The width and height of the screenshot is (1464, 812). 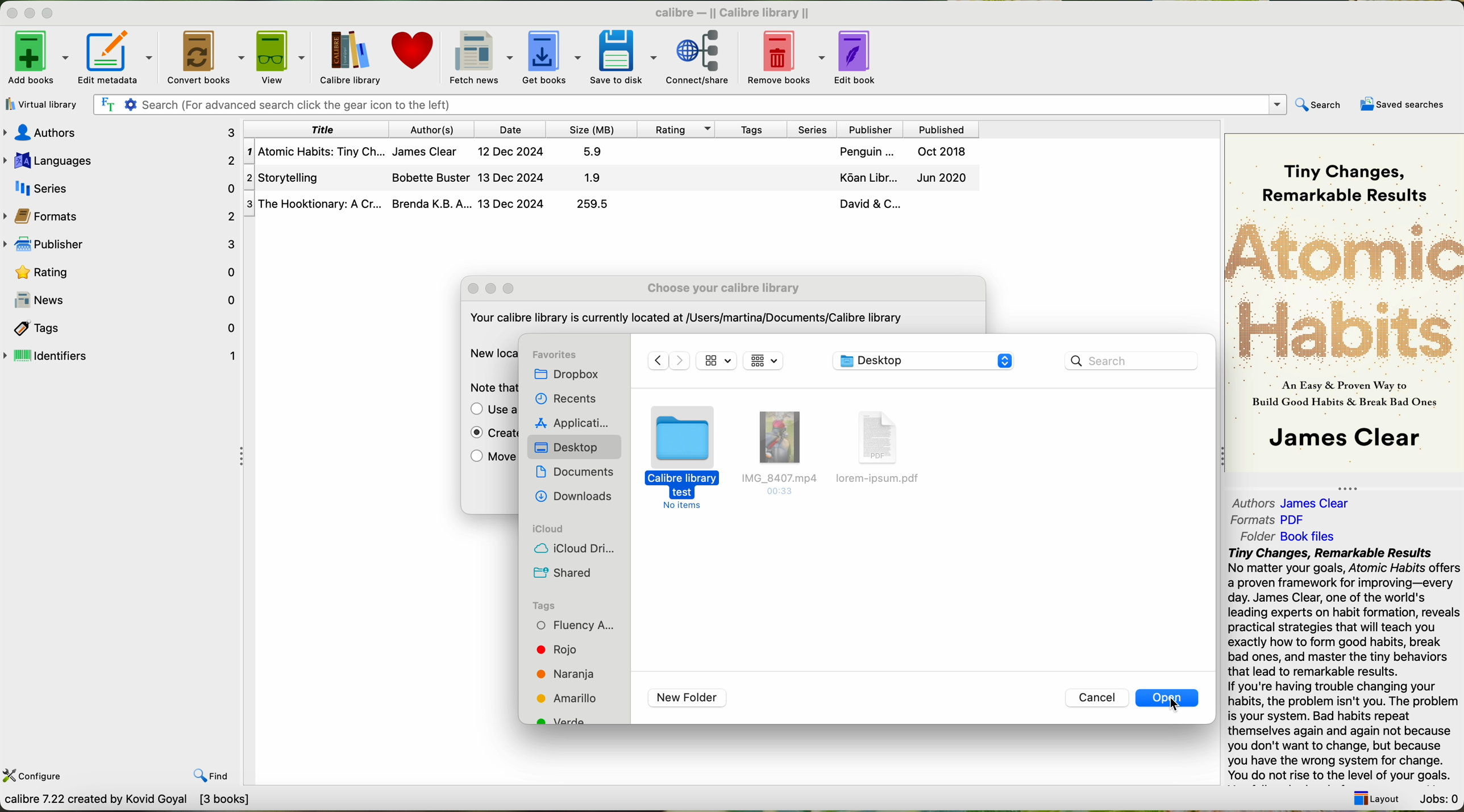 I want to click on close popup, so click(x=474, y=289).